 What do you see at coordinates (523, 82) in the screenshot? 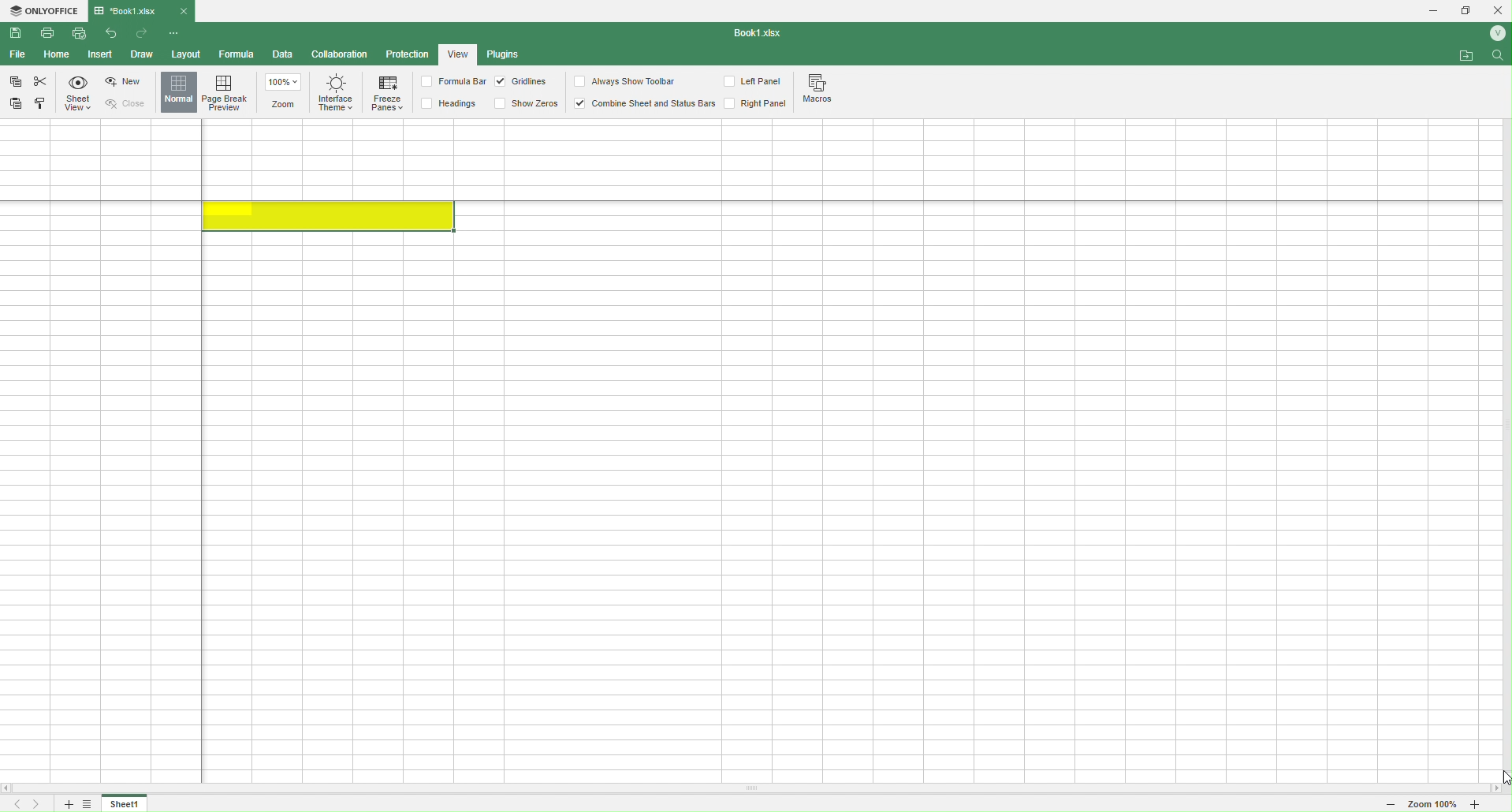
I see `Gridlines` at bounding box center [523, 82].